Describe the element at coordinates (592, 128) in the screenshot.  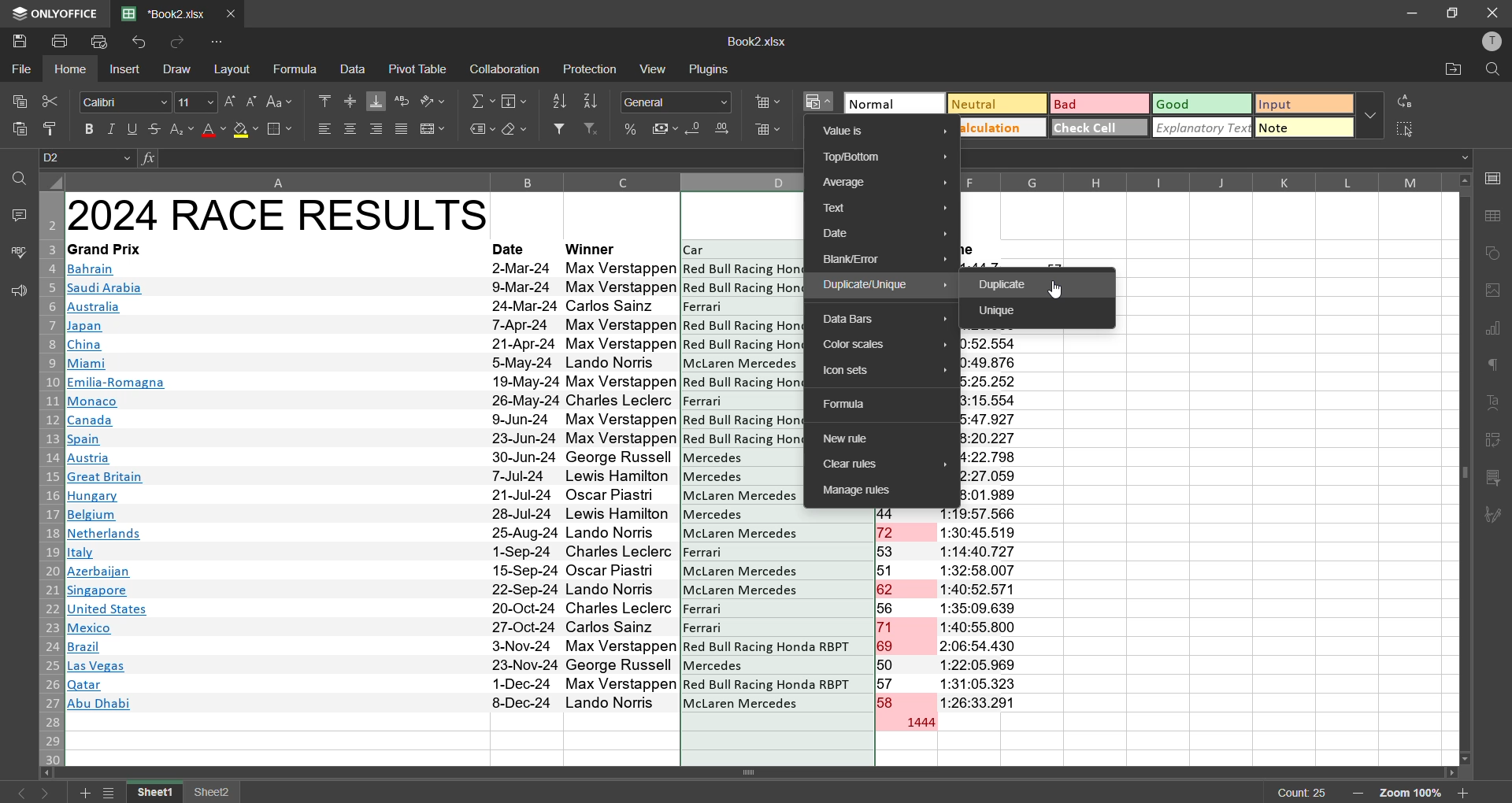
I see `clear filter` at that location.